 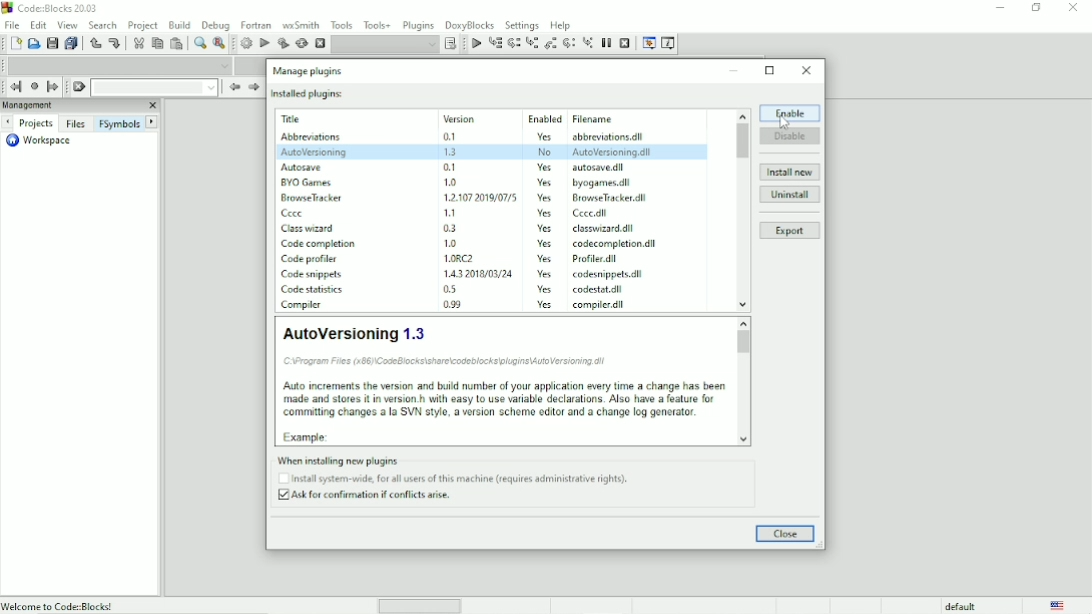 What do you see at coordinates (153, 121) in the screenshot?
I see `Next` at bounding box center [153, 121].